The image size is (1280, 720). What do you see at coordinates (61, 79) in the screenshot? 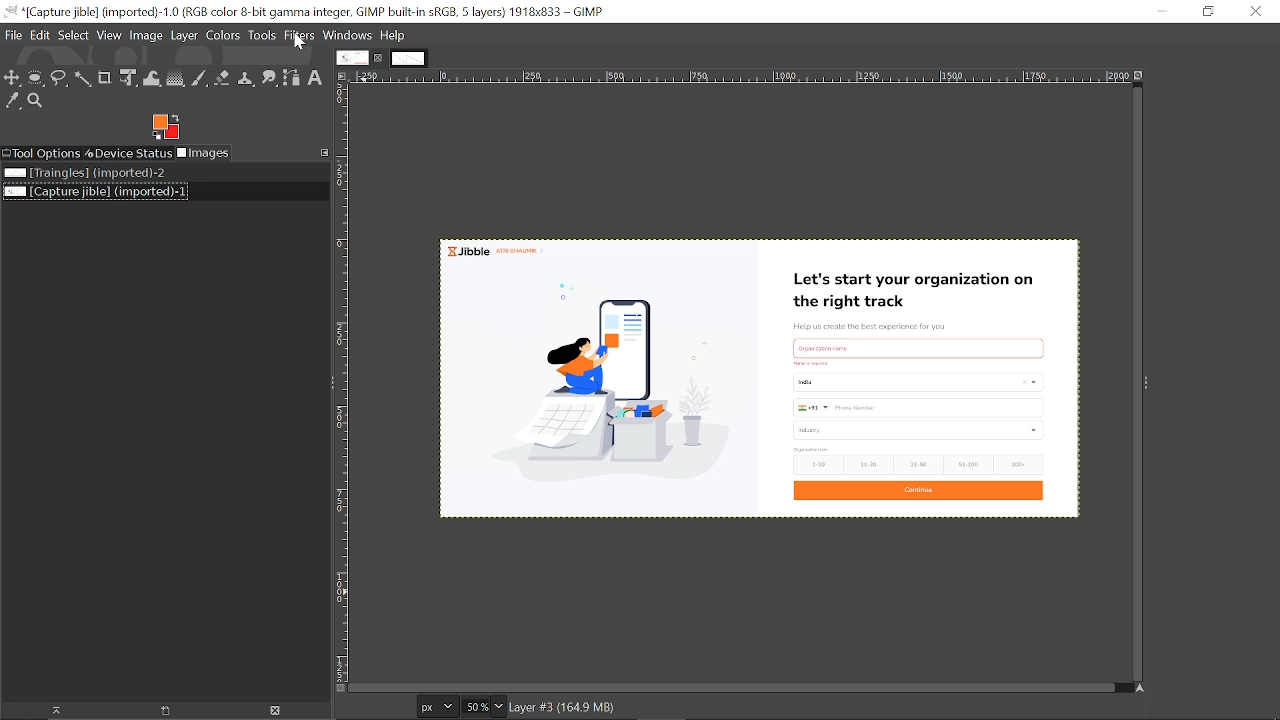
I see `Free select tool` at bounding box center [61, 79].